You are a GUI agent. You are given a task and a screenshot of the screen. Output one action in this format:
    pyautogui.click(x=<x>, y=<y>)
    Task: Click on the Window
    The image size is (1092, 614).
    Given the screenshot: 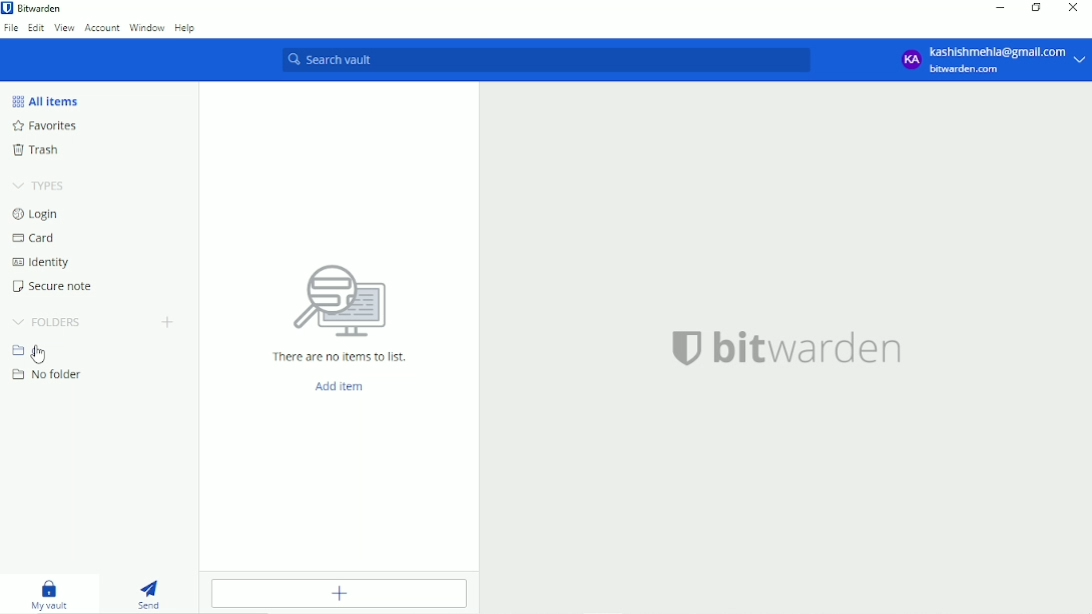 What is the action you would take?
    pyautogui.click(x=147, y=28)
    